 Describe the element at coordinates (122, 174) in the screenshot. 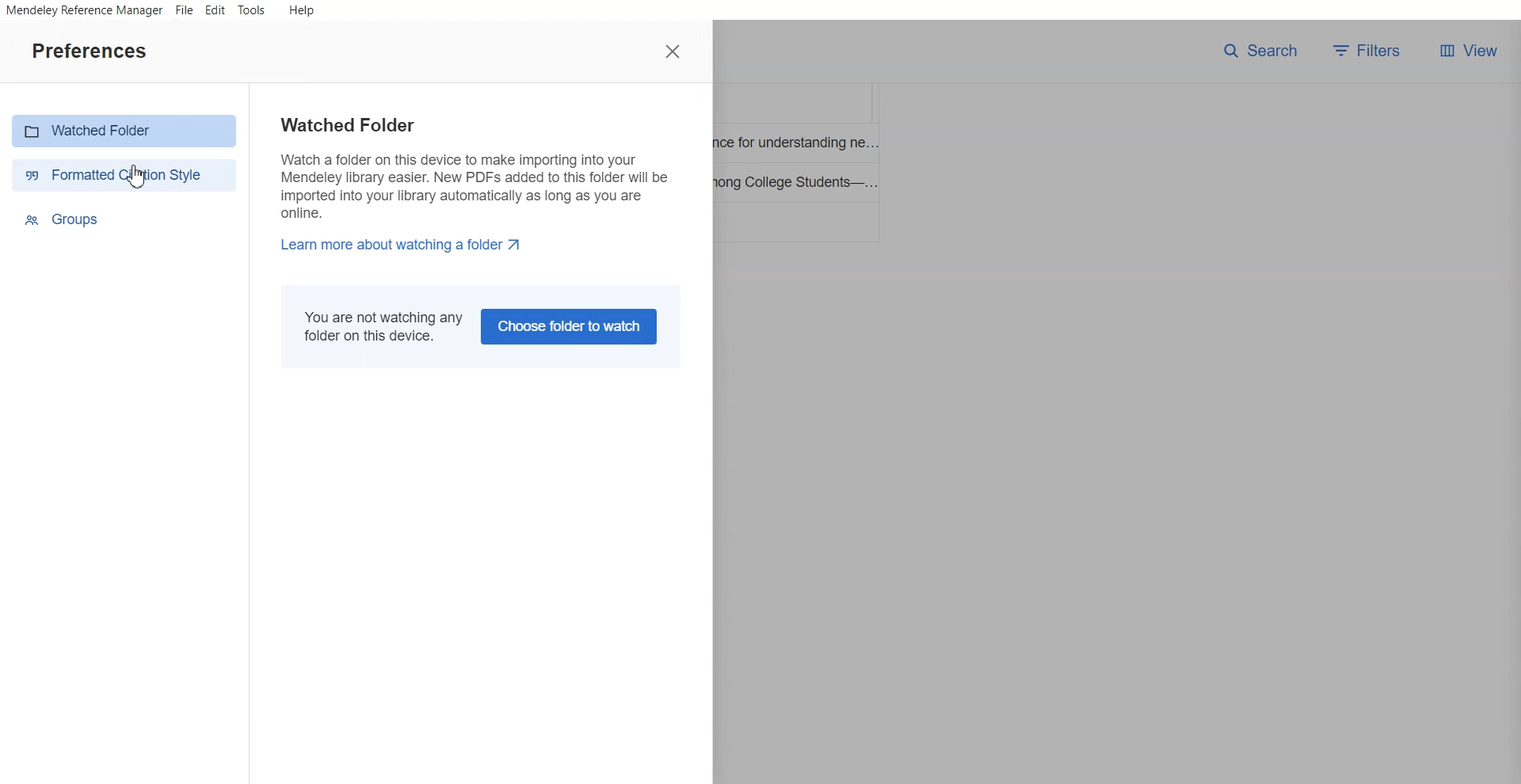

I see `Formatted caption Style` at that location.